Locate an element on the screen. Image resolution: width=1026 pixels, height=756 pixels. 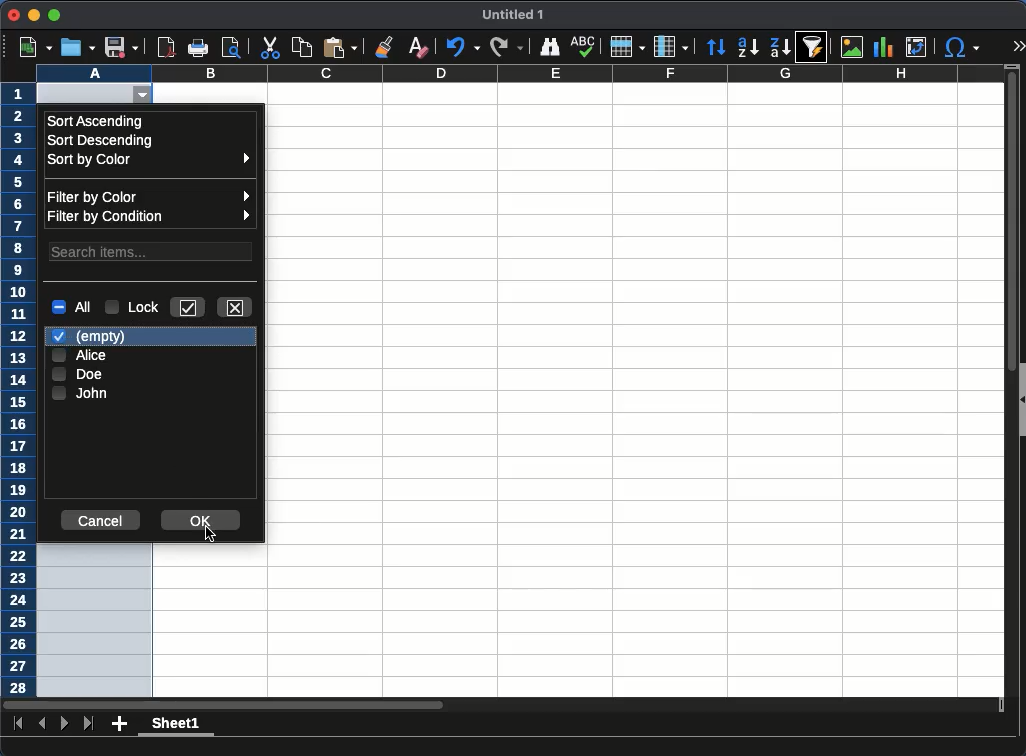
minimize is located at coordinates (33, 15).